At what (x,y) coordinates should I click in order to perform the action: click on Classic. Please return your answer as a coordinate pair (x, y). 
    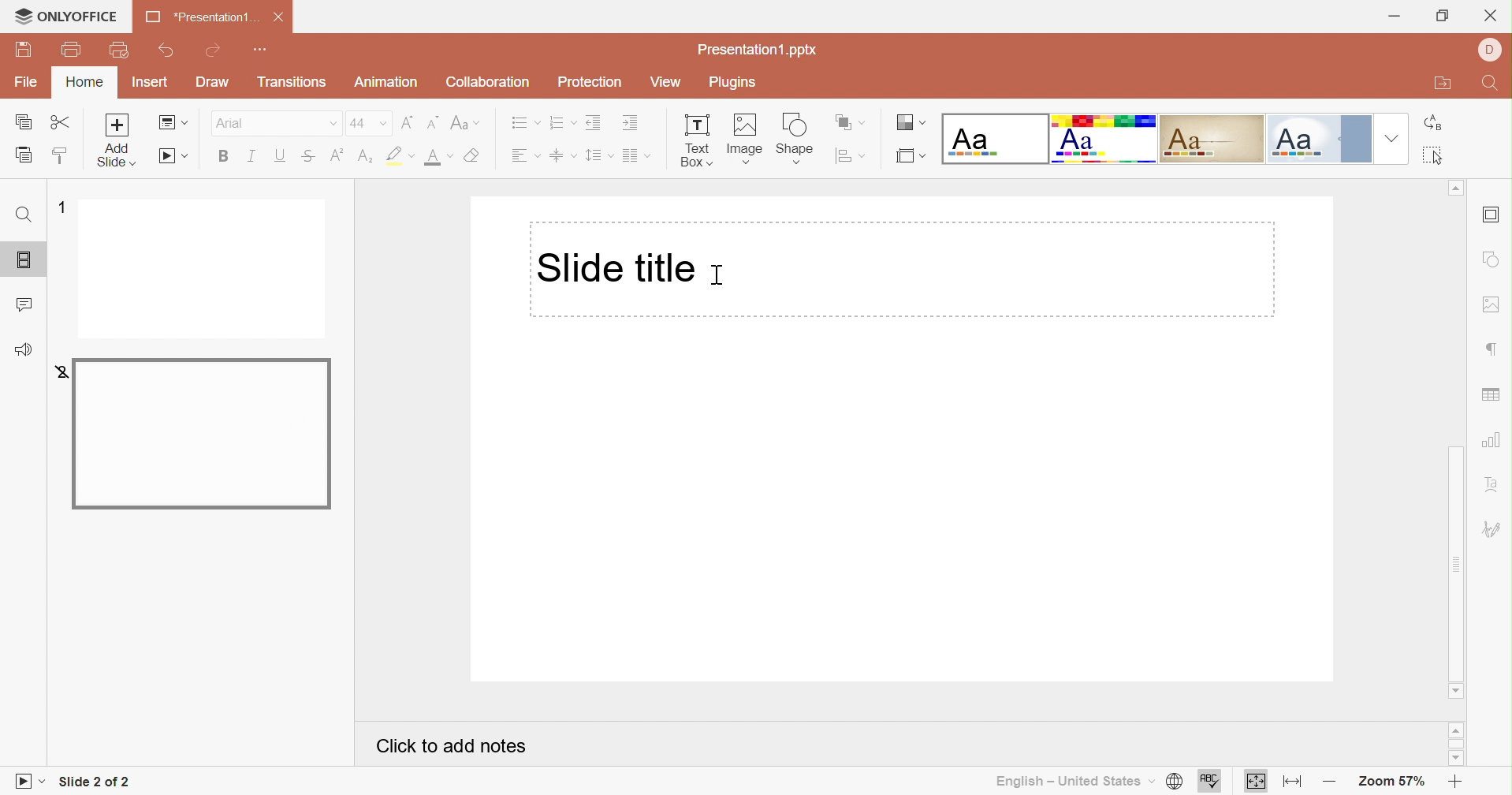
    Looking at the image, I should click on (1210, 139).